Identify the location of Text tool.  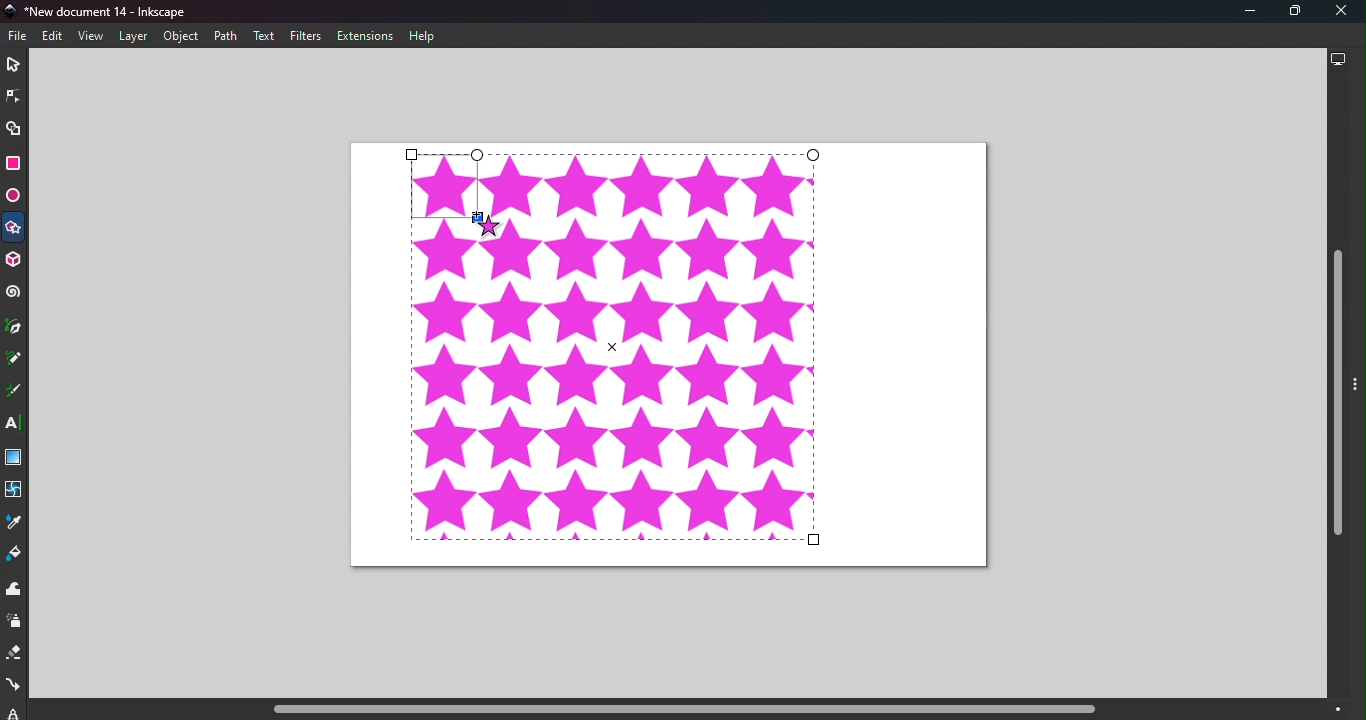
(15, 424).